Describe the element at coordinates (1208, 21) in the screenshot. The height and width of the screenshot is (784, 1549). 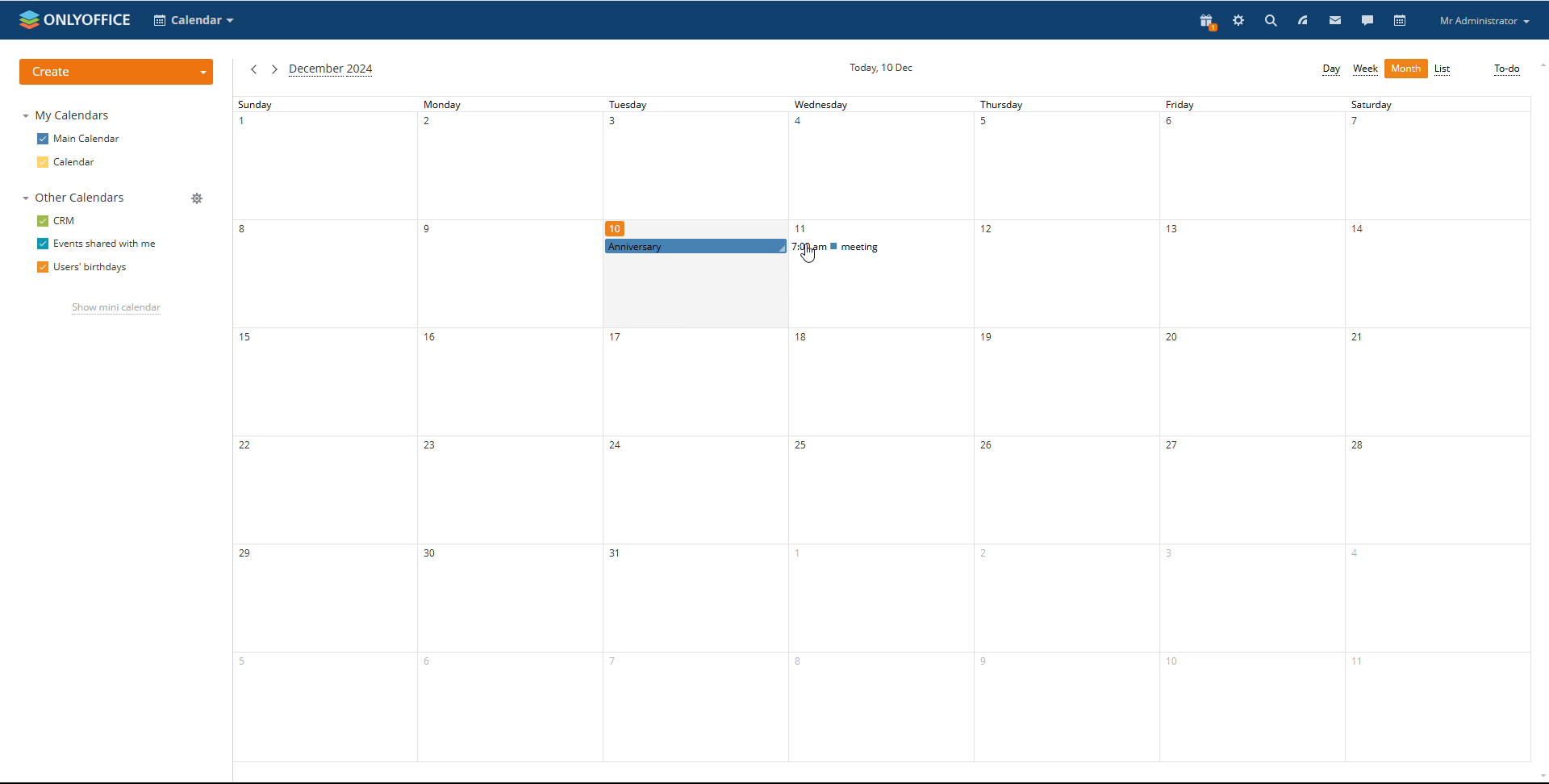
I see `present` at that location.